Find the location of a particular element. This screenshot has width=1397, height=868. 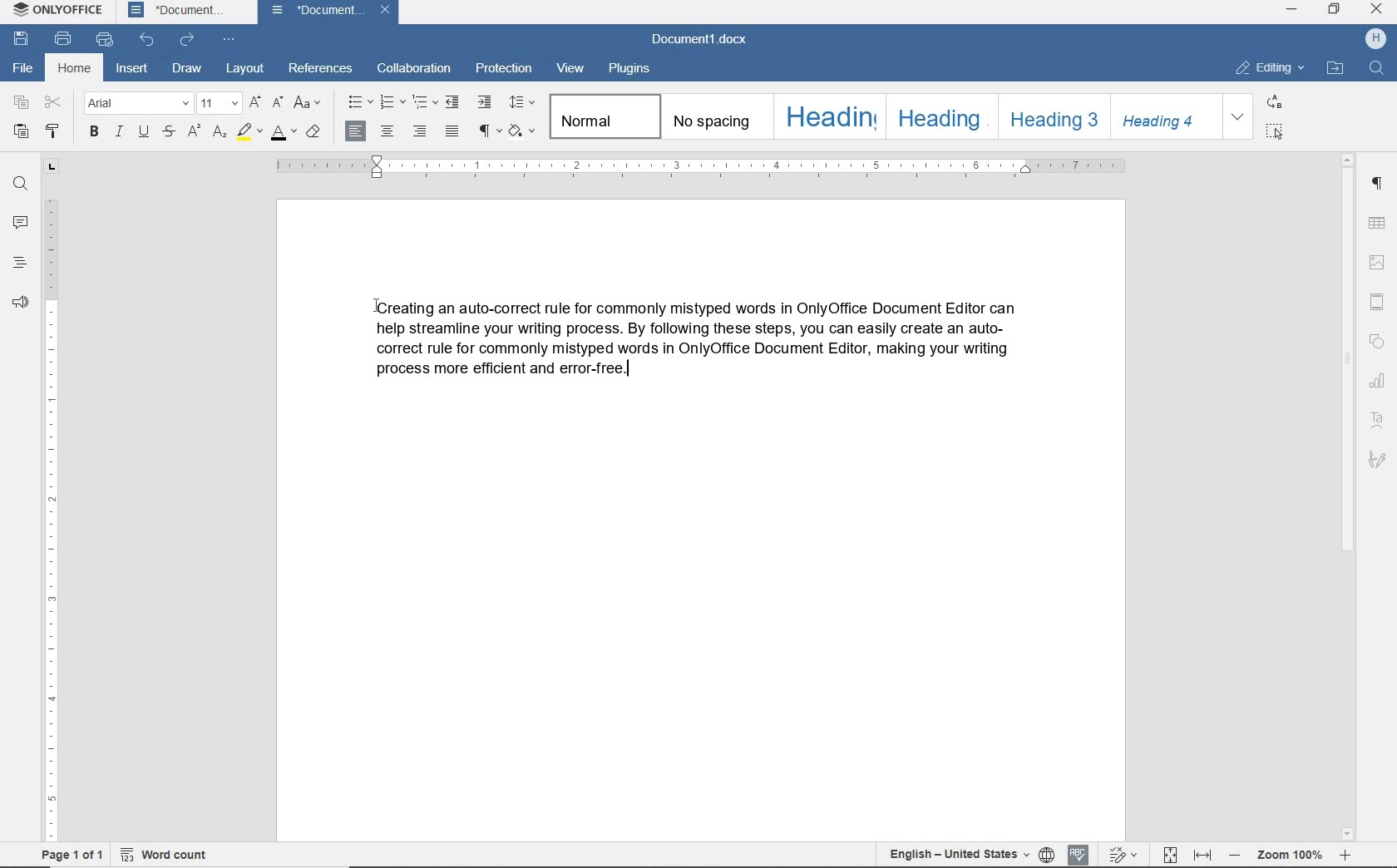

strikethrough is located at coordinates (167, 131).